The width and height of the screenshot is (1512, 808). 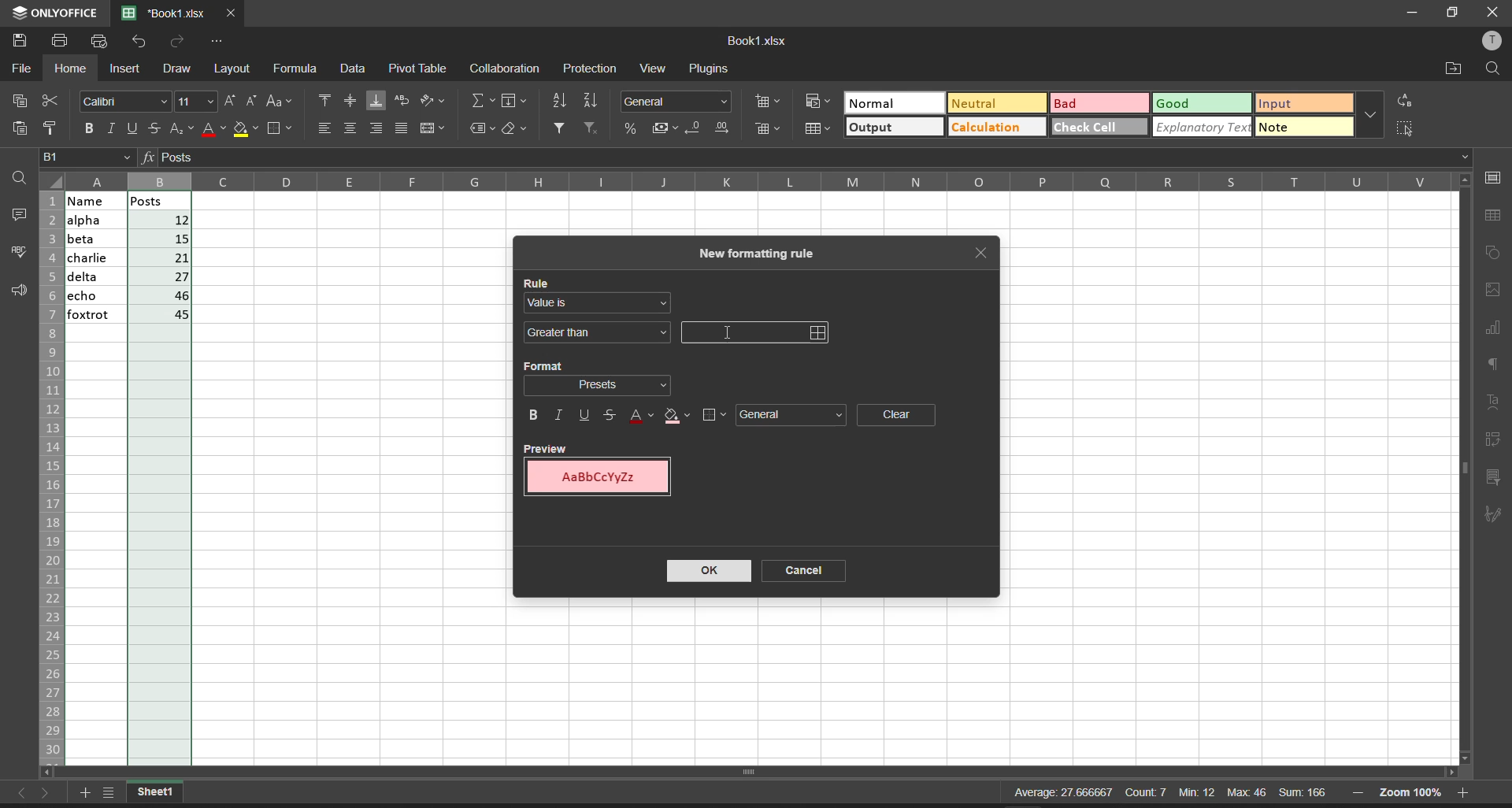 I want to click on named ranges, so click(x=478, y=128).